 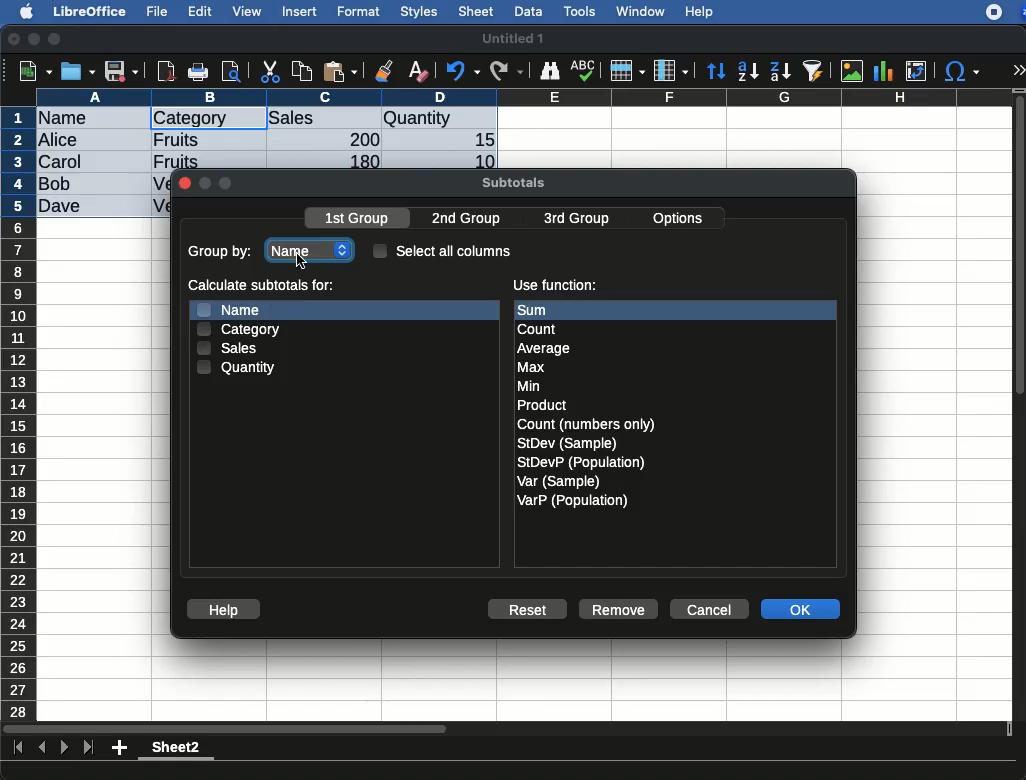 What do you see at coordinates (79, 71) in the screenshot?
I see `save` at bounding box center [79, 71].